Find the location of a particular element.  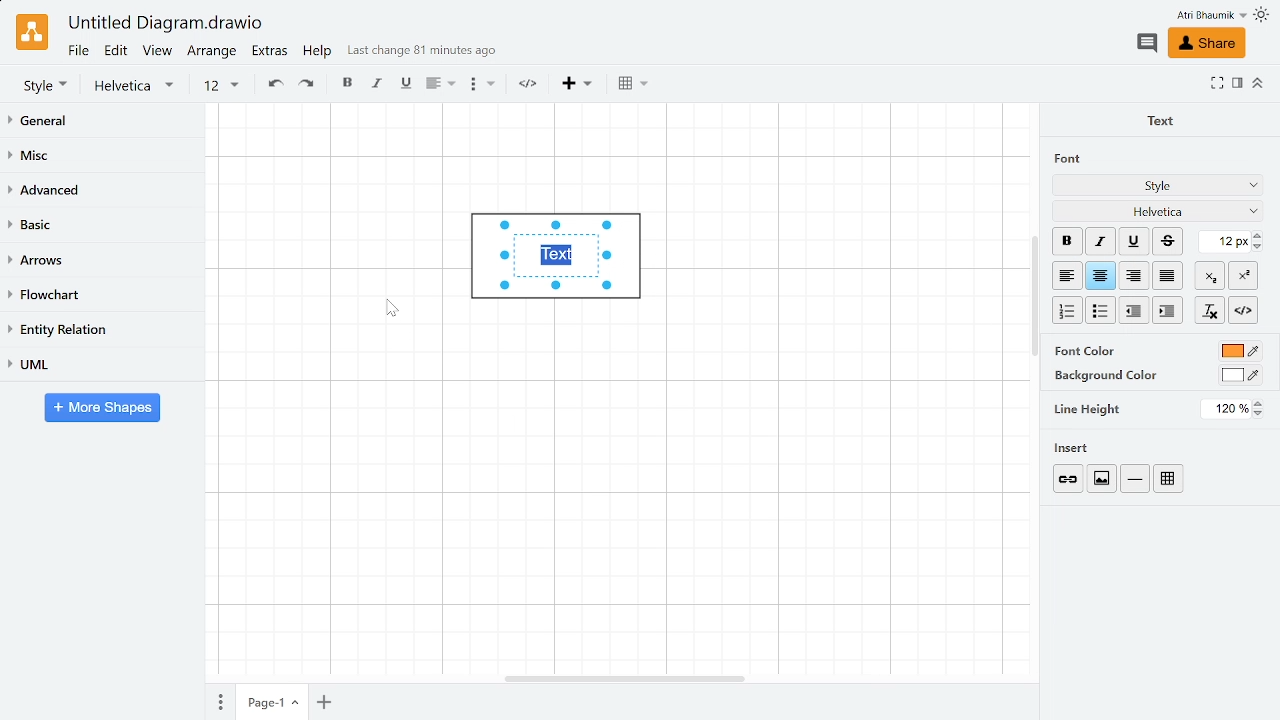

underline is located at coordinates (405, 84).